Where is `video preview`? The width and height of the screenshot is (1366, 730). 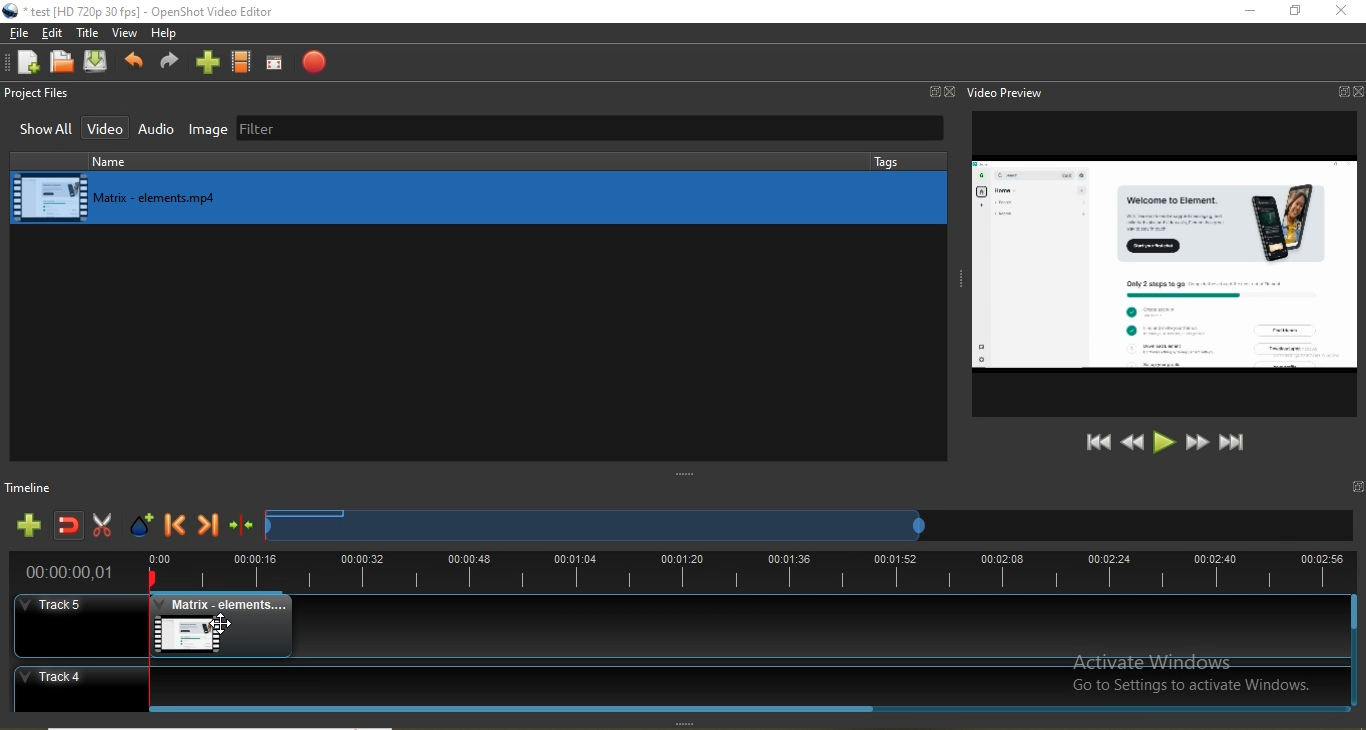
video preview is located at coordinates (1169, 260).